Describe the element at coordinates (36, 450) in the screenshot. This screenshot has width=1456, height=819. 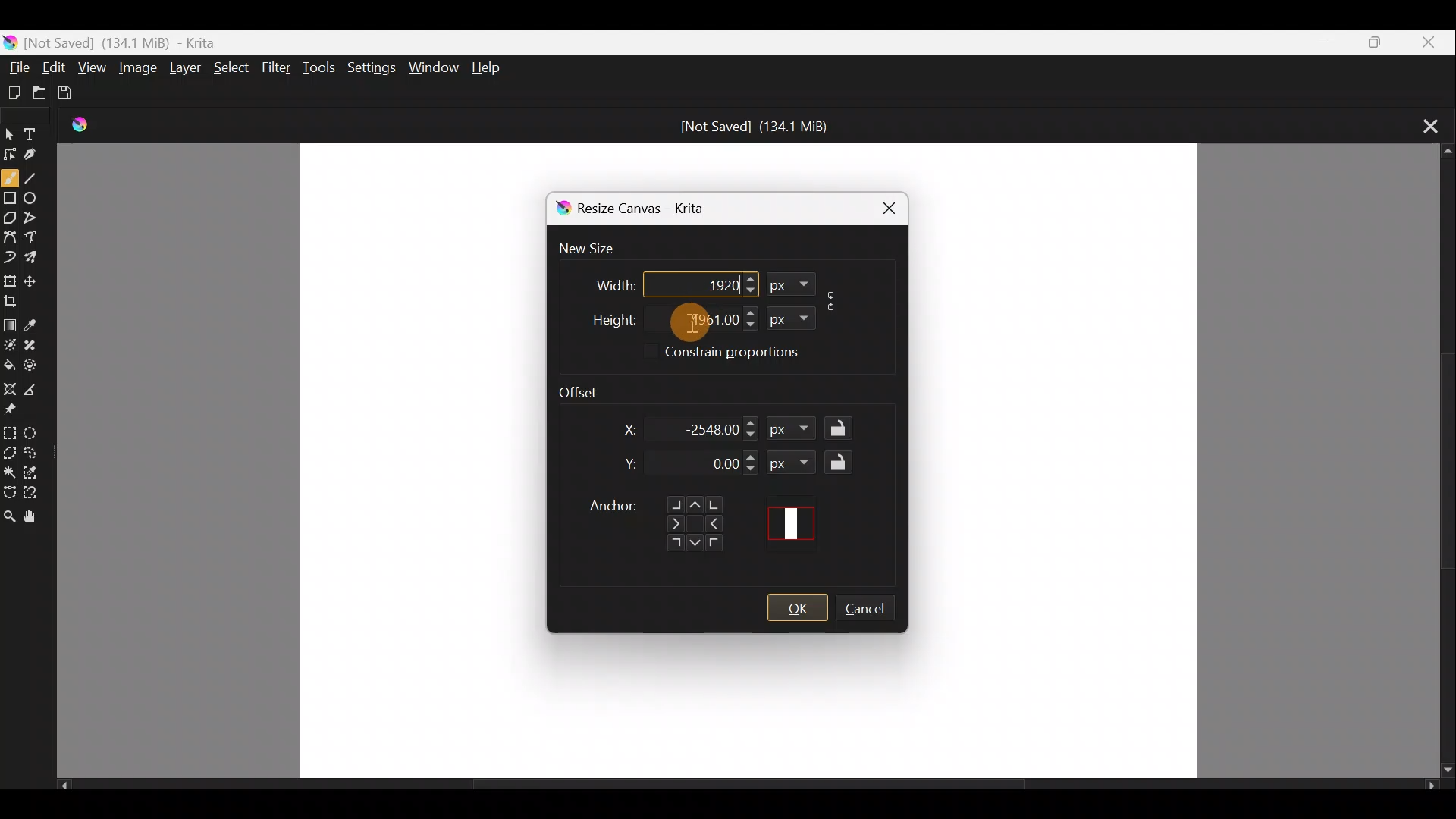
I see `Freehand selection tool` at that location.